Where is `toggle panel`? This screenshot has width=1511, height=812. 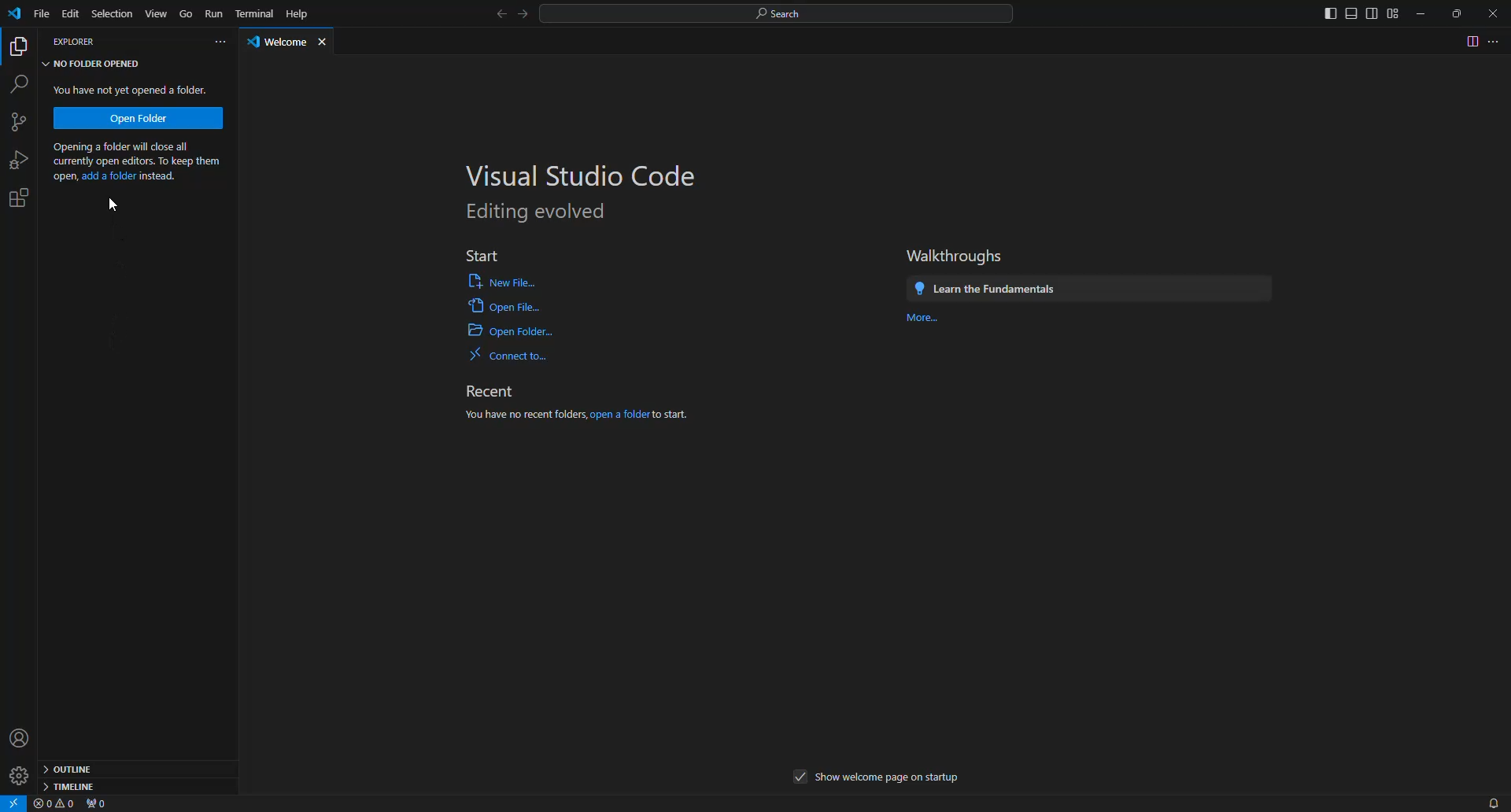 toggle panel is located at coordinates (1350, 14).